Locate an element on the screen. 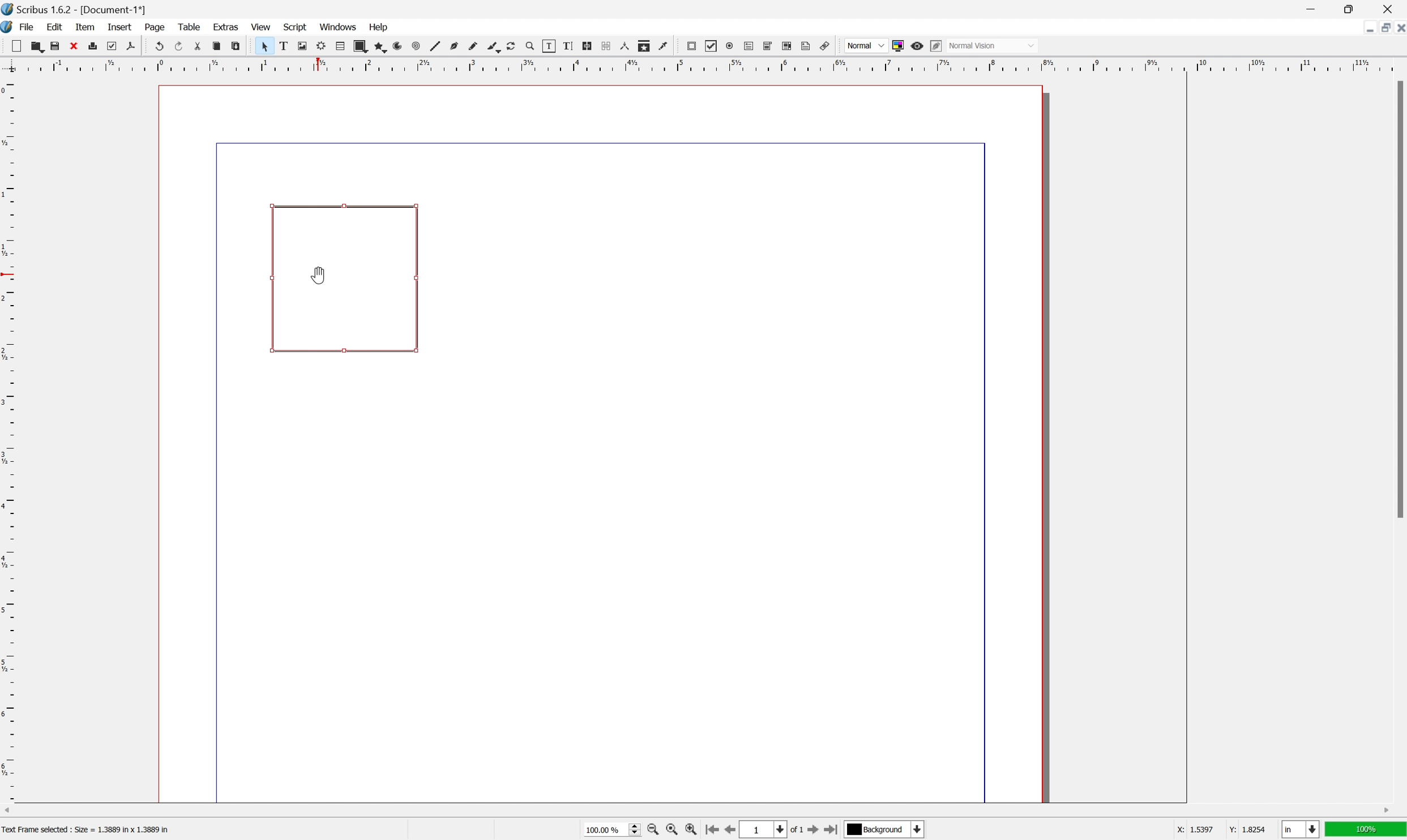  pdf checkbox is located at coordinates (712, 46).